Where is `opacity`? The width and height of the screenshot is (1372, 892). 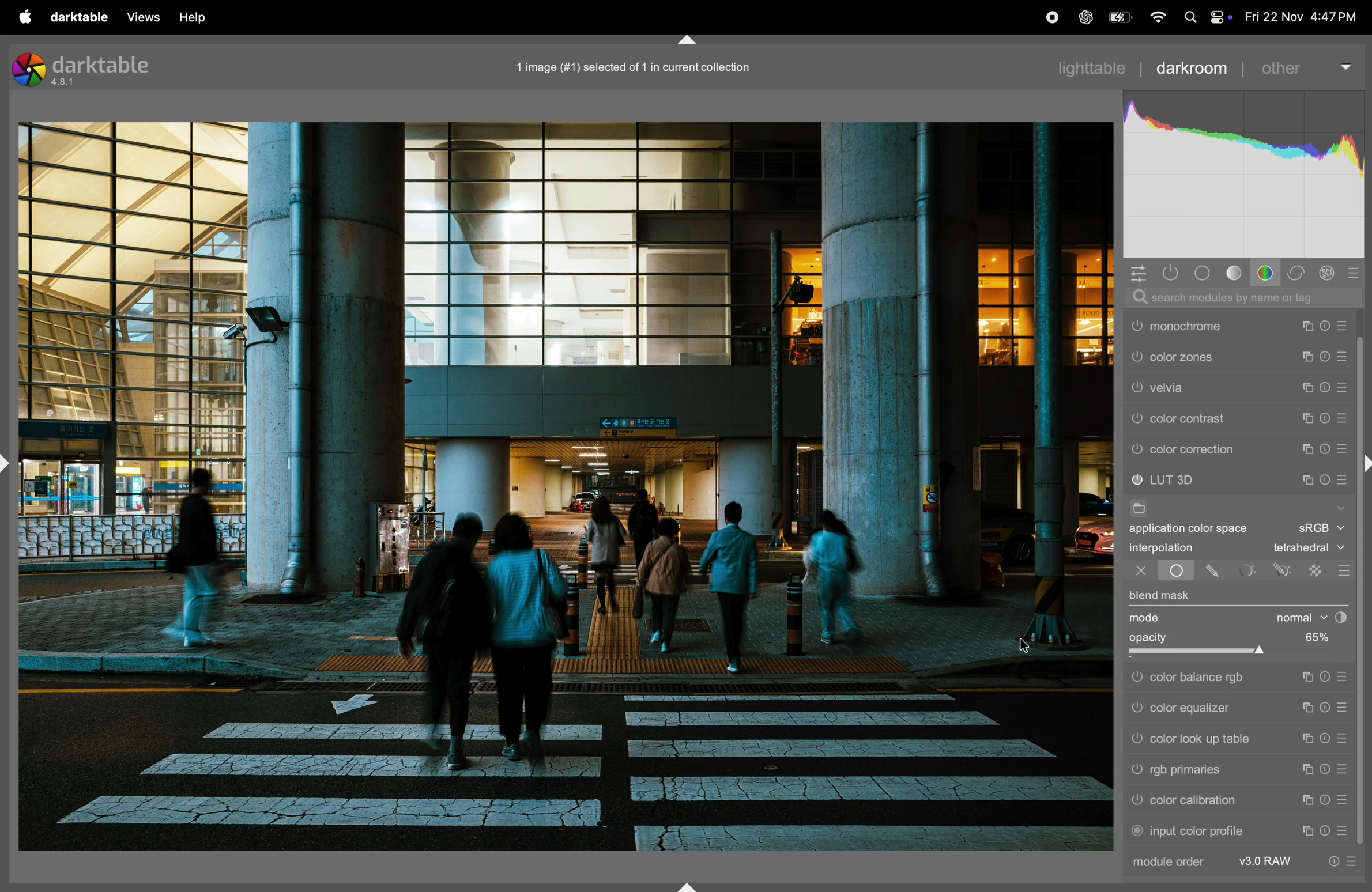 opacity is located at coordinates (1152, 637).